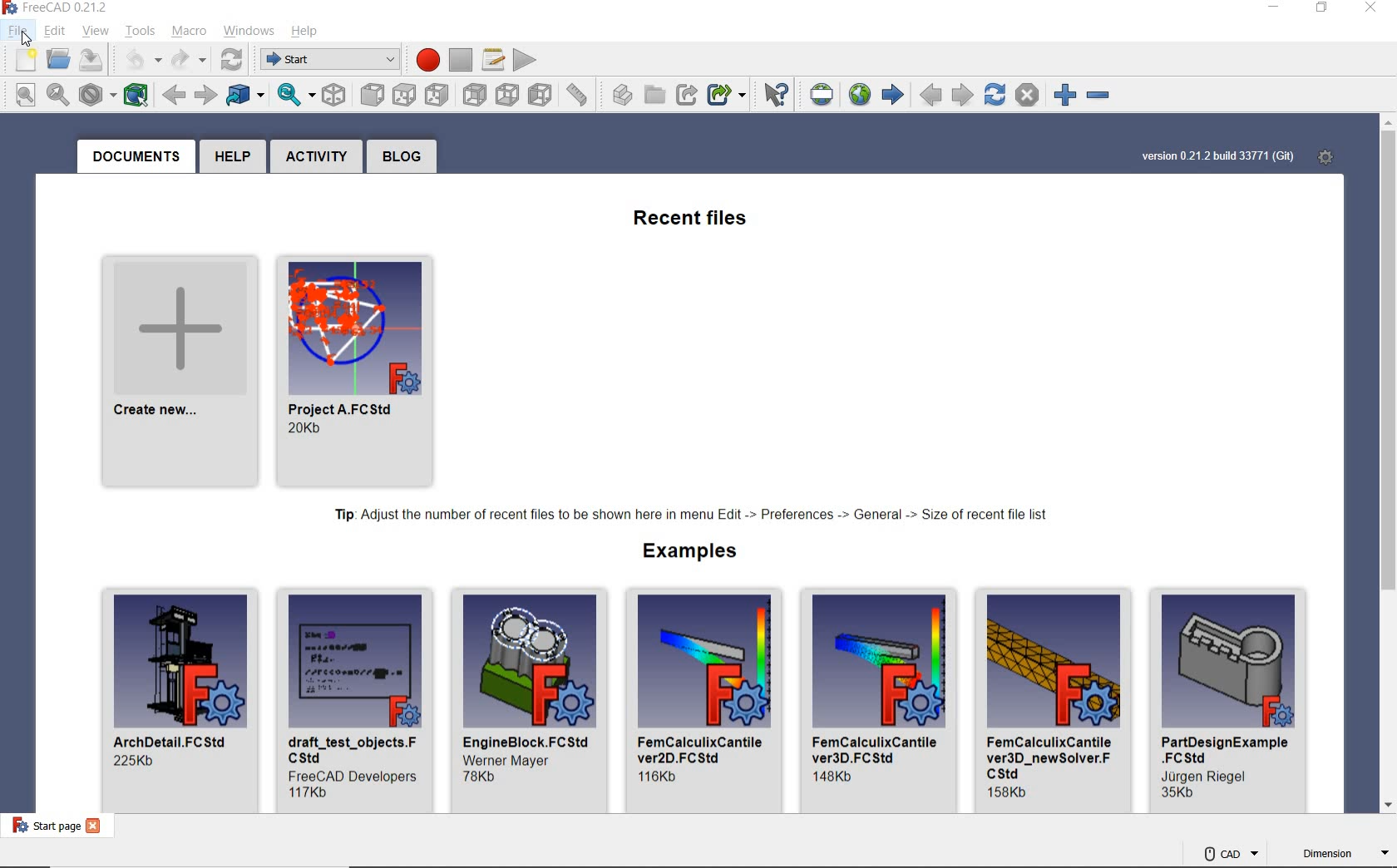 This screenshot has width=1397, height=868. What do you see at coordinates (356, 660) in the screenshot?
I see `image` at bounding box center [356, 660].